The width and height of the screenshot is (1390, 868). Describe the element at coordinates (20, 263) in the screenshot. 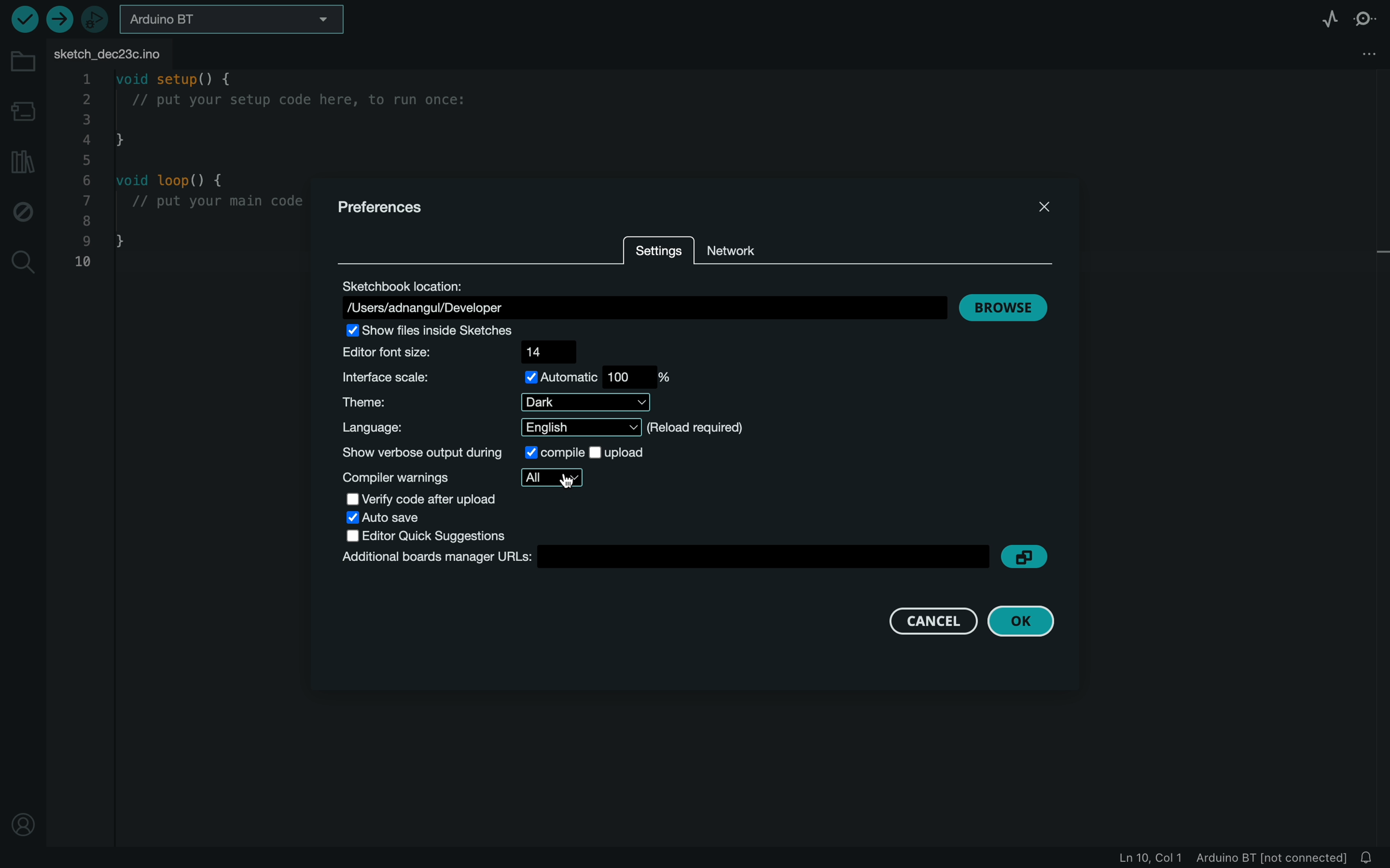

I see `search` at that location.